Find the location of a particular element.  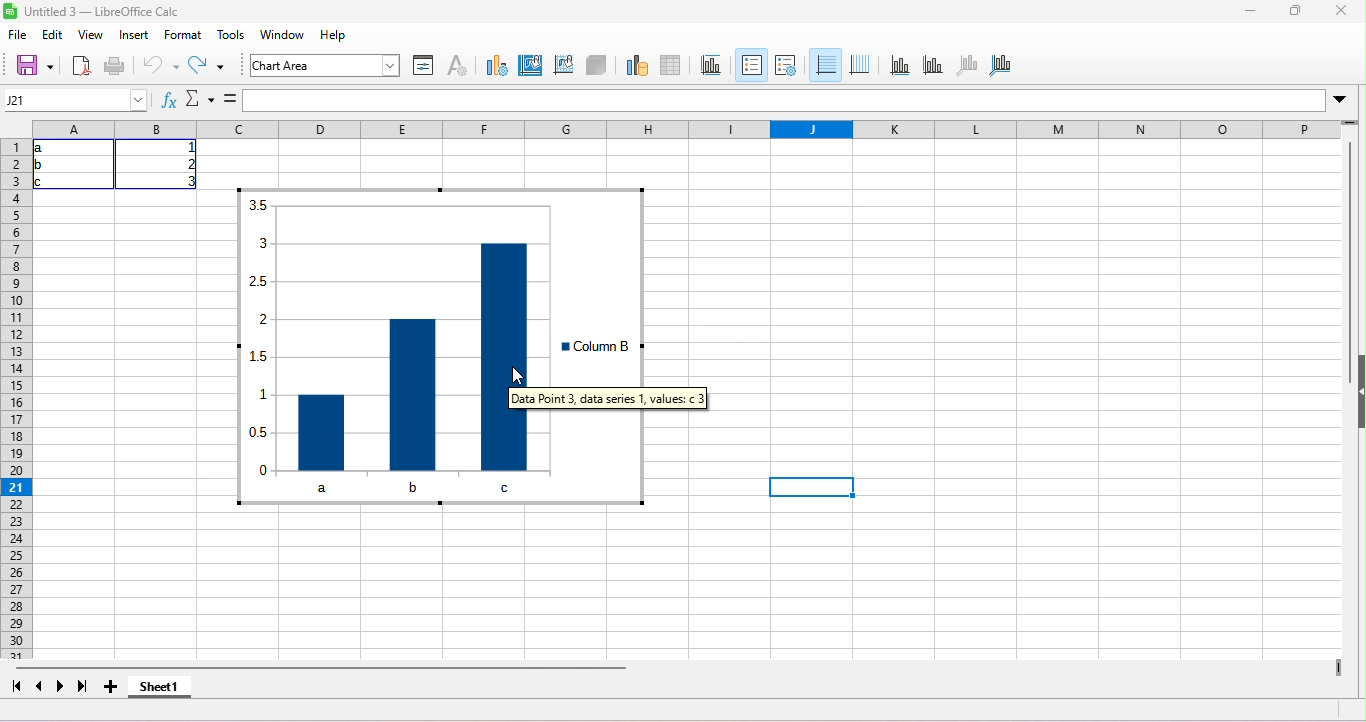

horizontal grids  is located at coordinates (825, 65).